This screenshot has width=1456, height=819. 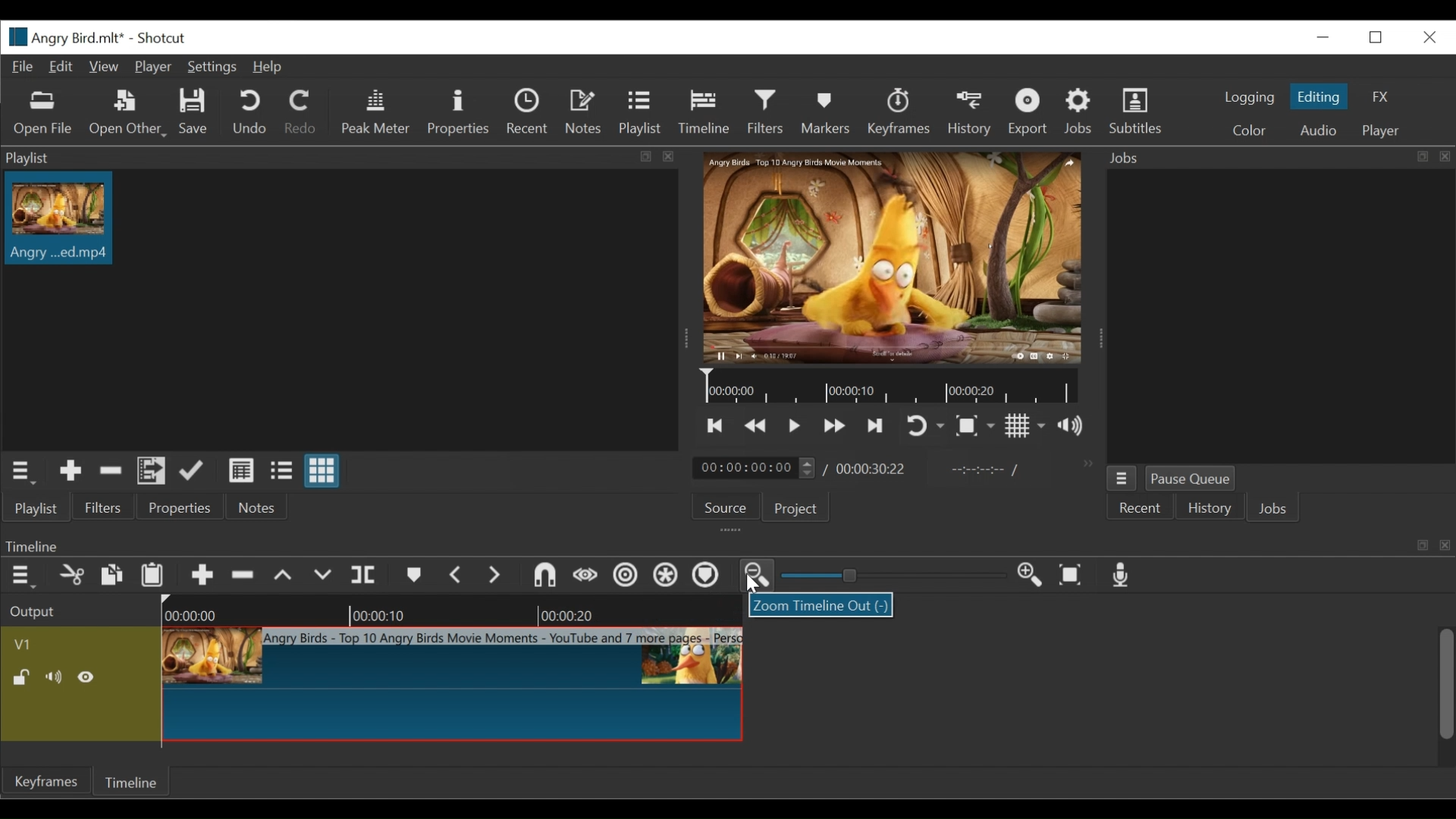 What do you see at coordinates (582, 576) in the screenshot?
I see `Set First Simple keyframe` at bounding box center [582, 576].